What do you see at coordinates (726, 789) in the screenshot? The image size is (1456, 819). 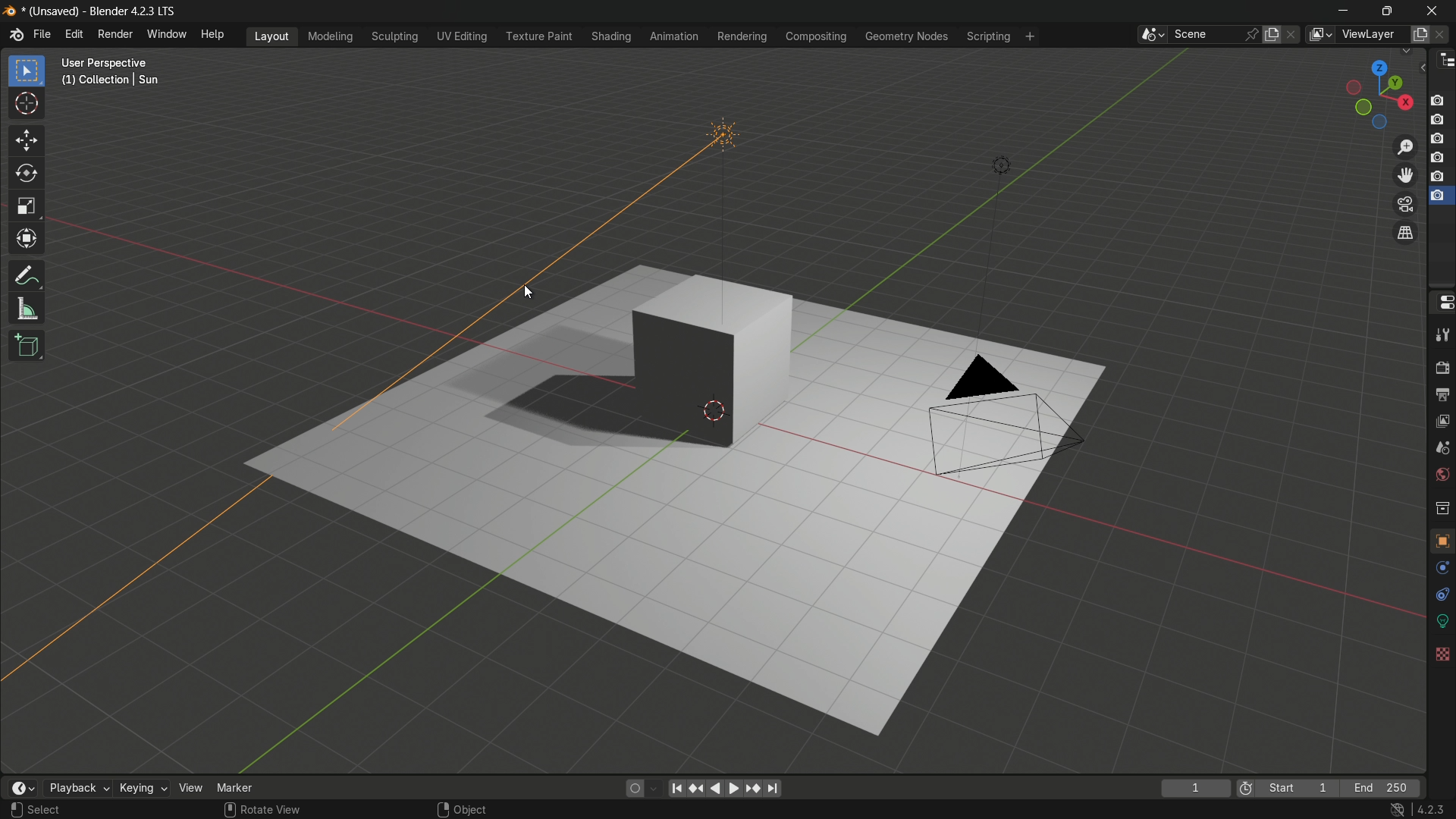 I see `play animation` at bounding box center [726, 789].